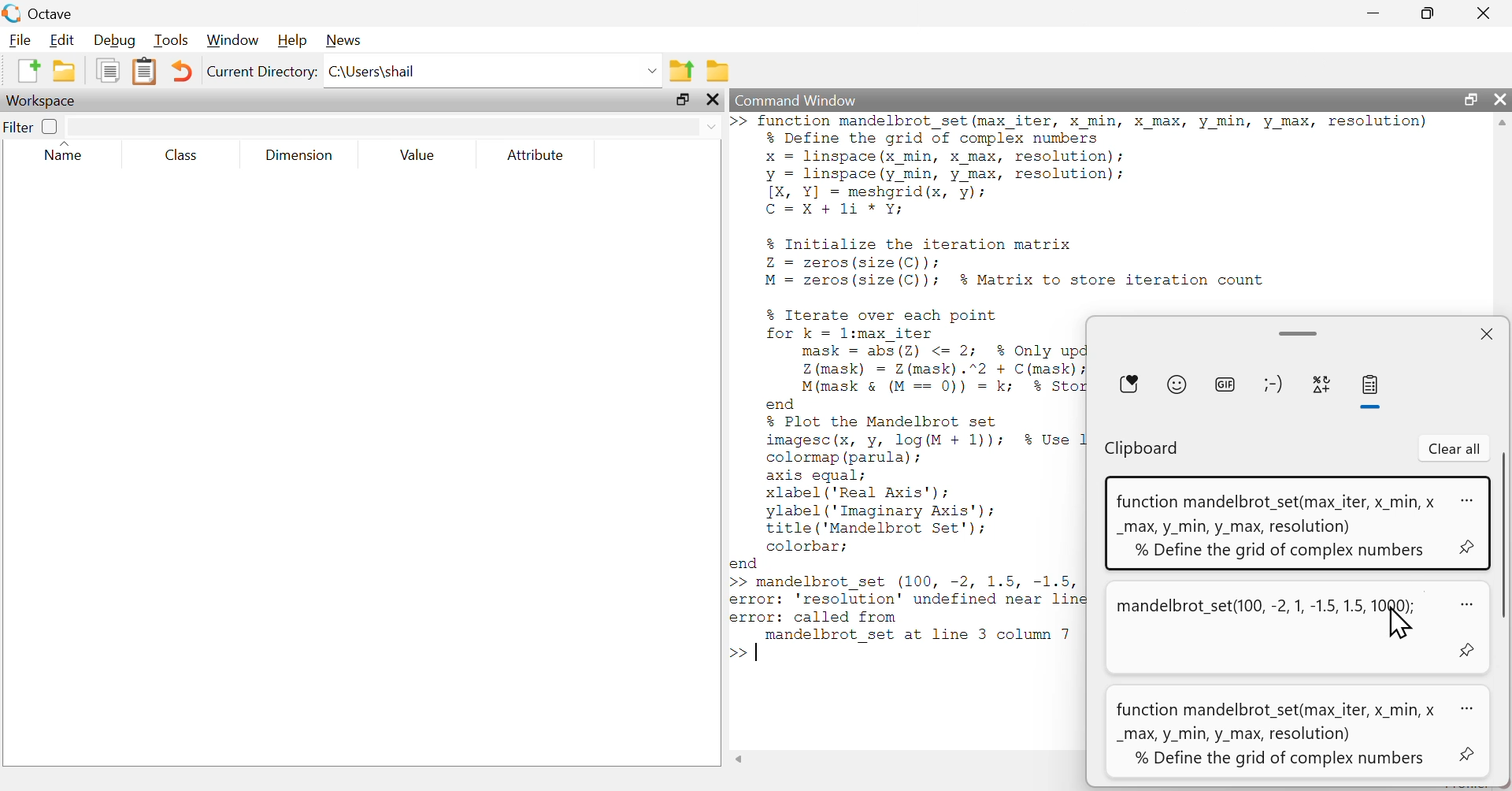 This screenshot has height=791, width=1512. Describe the element at coordinates (1484, 11) in the screenshot. I see `close` at that location.